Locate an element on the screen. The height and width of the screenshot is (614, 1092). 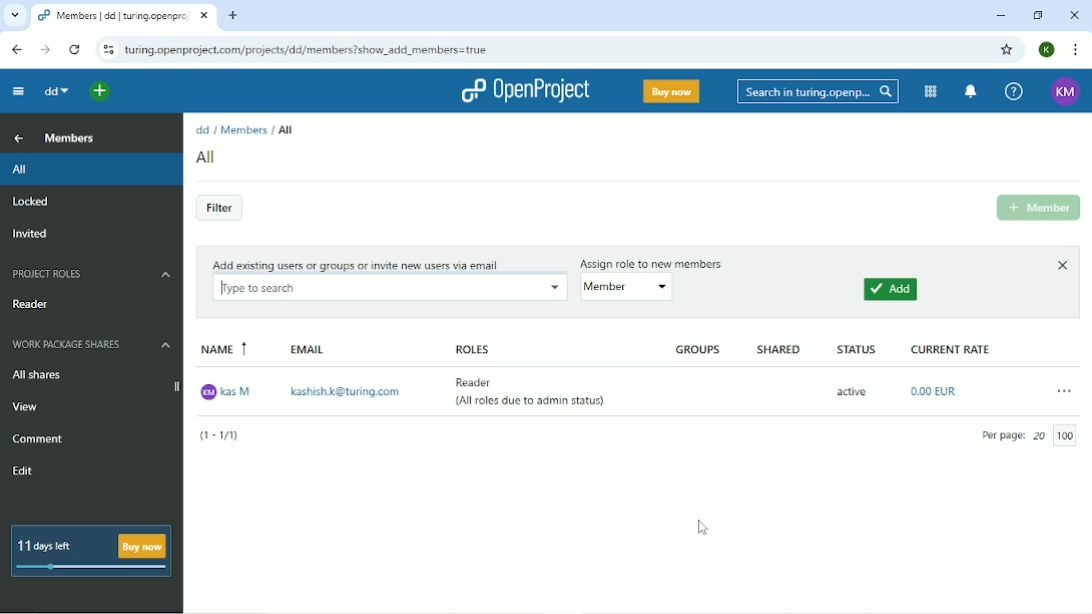
Cursor is located at coordinates (702, 528).